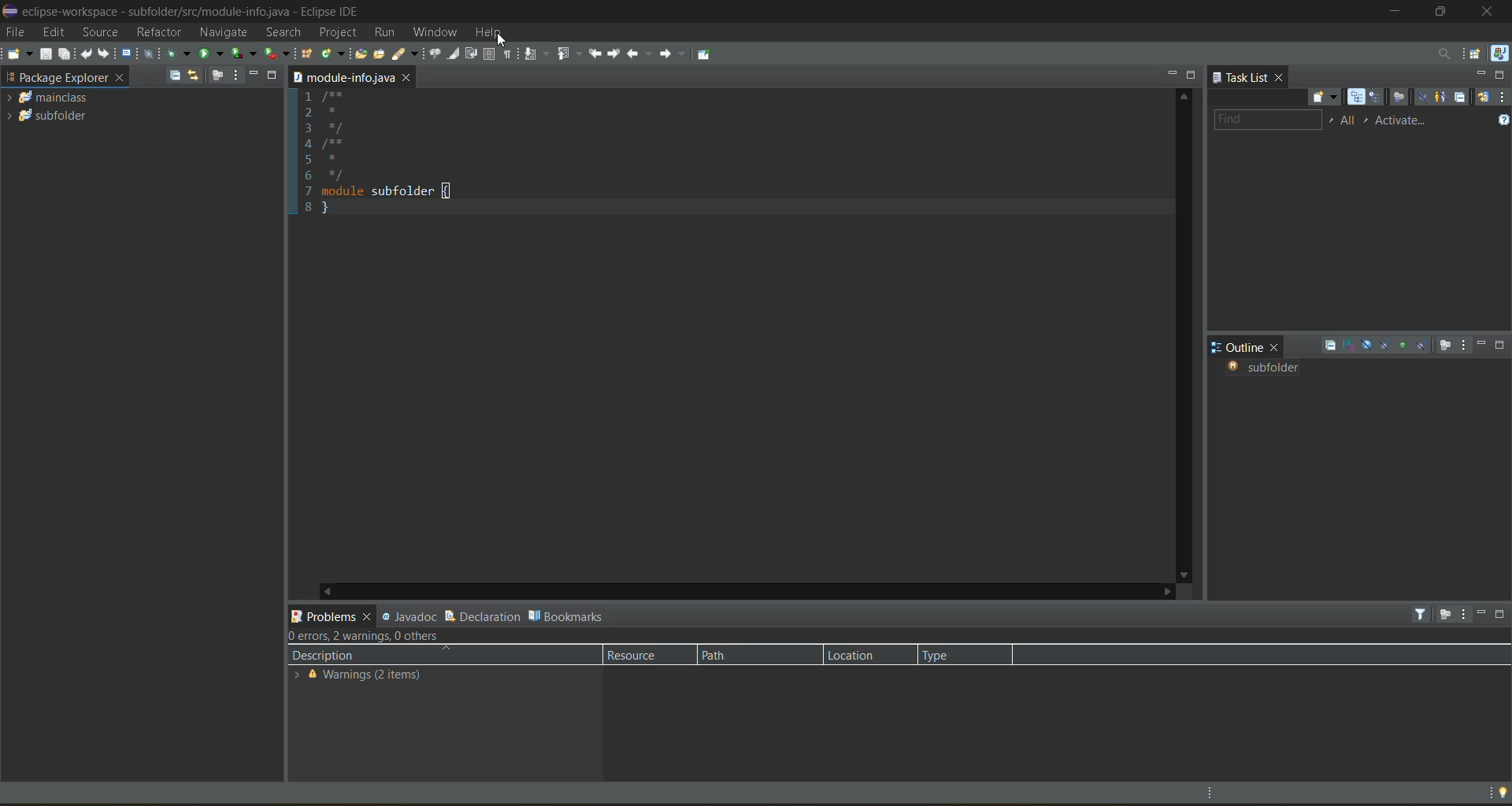 This screenshot has width=1512, height=806. What do you see at coordinates (105, 33) in the screenshot?
I see `source` at bounding box center [105, 33].